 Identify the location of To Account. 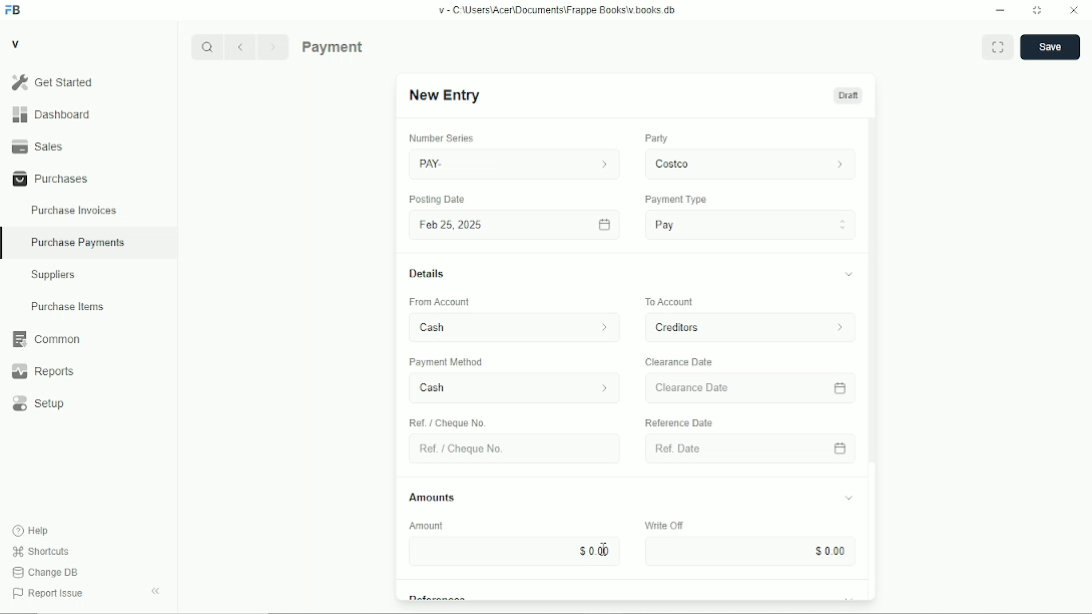
(747, 328).